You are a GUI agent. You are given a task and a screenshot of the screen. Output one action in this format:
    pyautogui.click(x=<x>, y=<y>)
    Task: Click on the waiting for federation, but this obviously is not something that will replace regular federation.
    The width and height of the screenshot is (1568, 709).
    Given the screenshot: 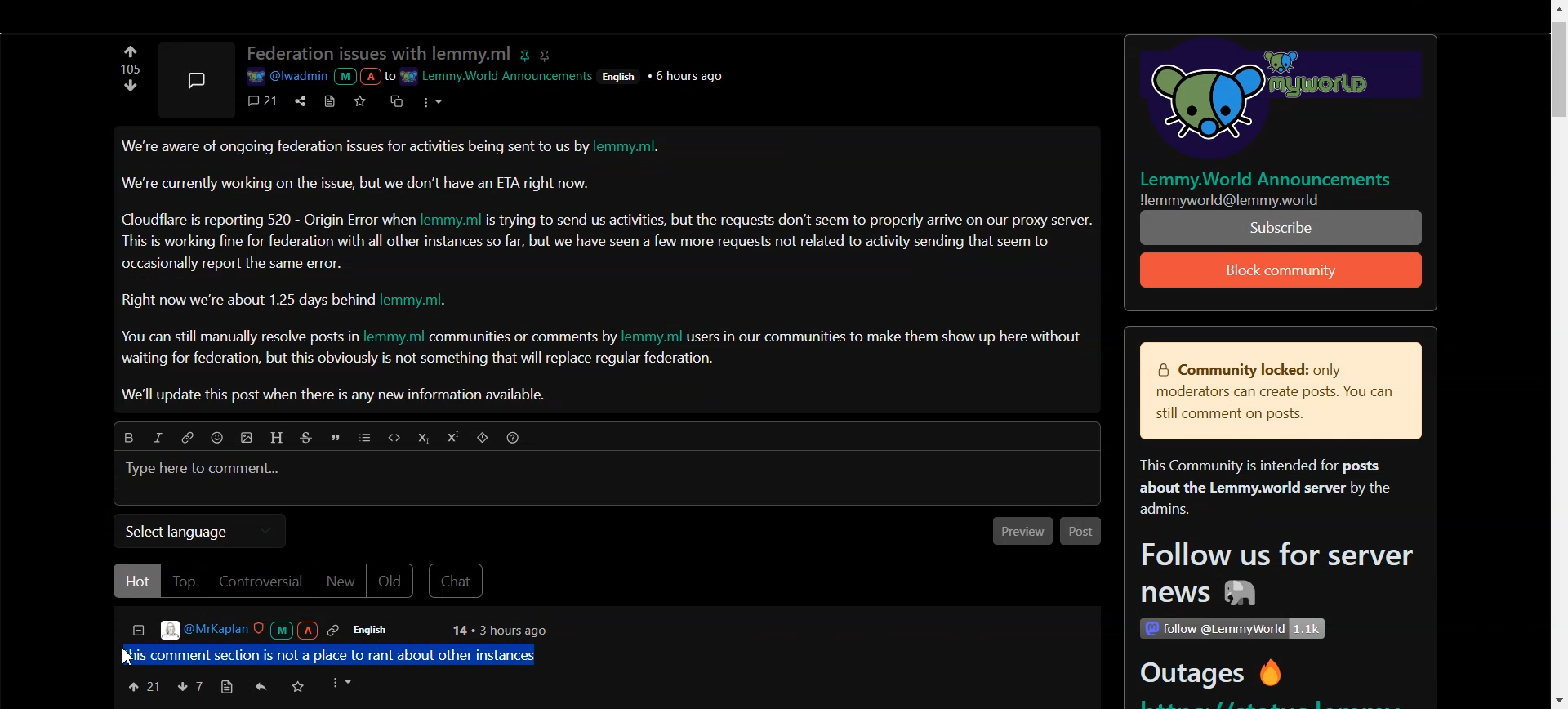 What is the action you would take?
    pyautogui.click(x=420, y=360)
    